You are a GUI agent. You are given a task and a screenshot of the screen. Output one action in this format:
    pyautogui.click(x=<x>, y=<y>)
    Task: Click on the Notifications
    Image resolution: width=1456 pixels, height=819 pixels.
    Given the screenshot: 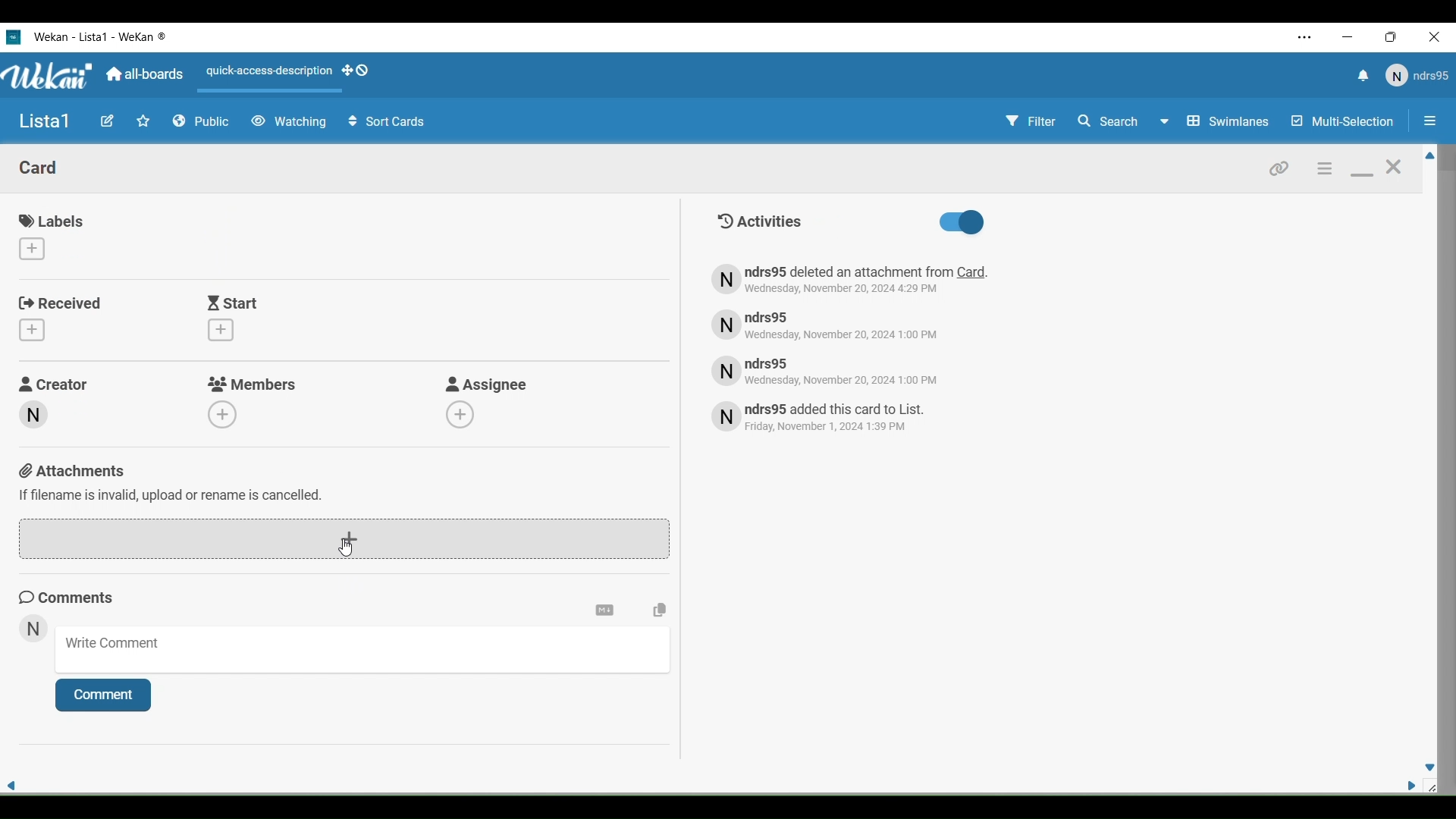 What is the action you would take?
    pyautogui.click(x=1361, y=77)
    